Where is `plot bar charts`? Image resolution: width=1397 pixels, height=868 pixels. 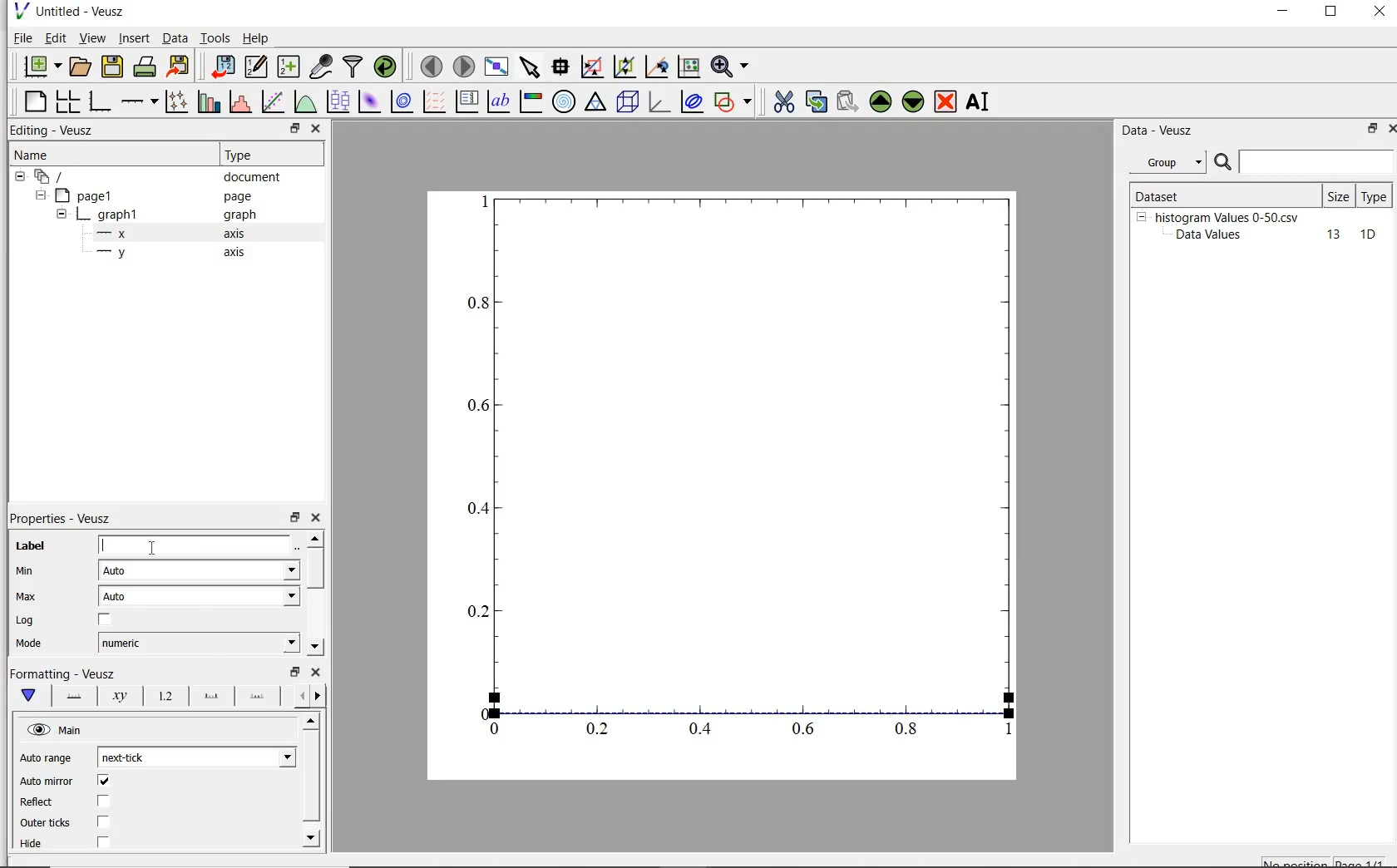
plot bar charts is located at coordinates (209, 101).